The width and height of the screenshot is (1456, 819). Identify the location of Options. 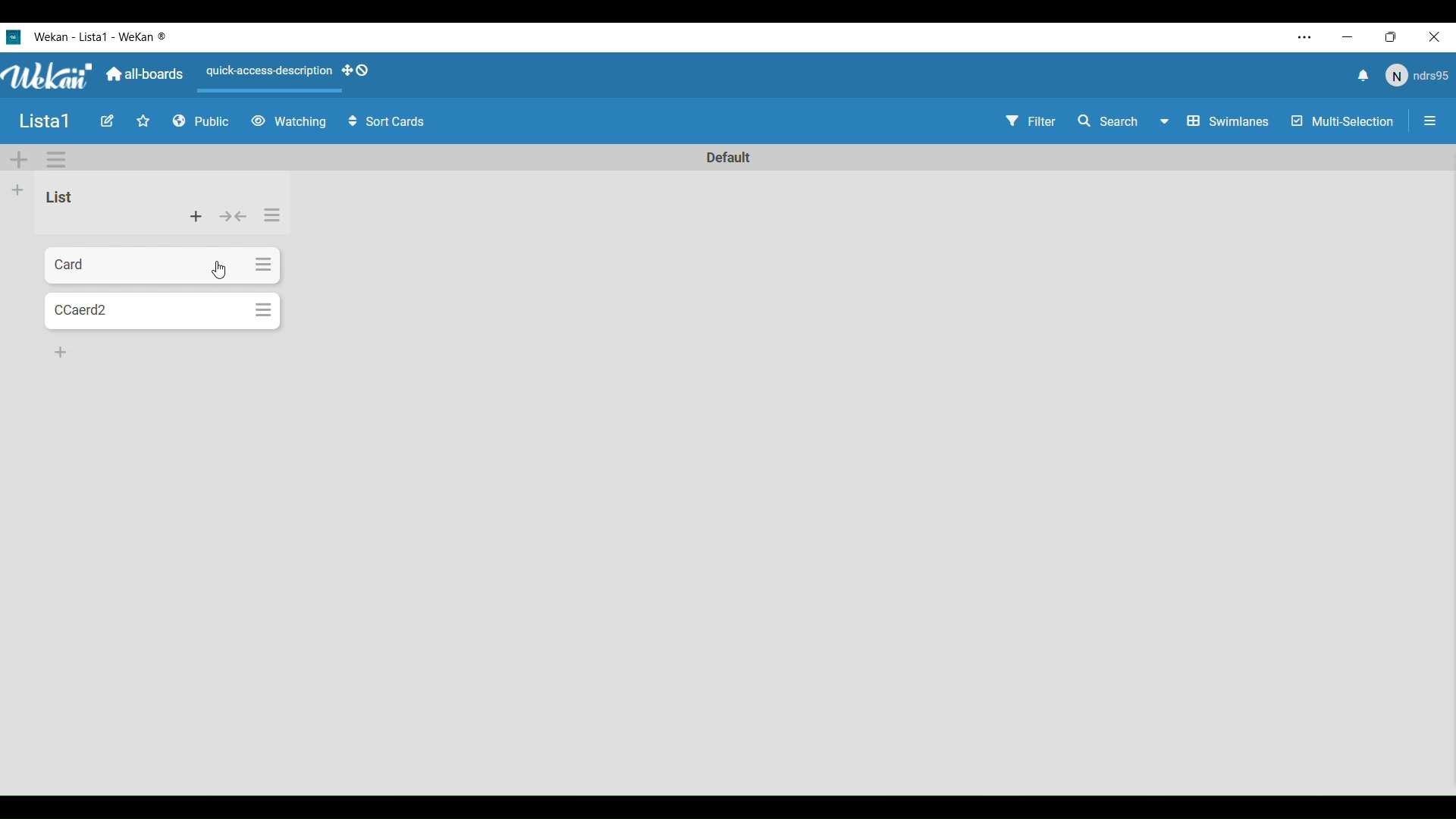
(56, 160).